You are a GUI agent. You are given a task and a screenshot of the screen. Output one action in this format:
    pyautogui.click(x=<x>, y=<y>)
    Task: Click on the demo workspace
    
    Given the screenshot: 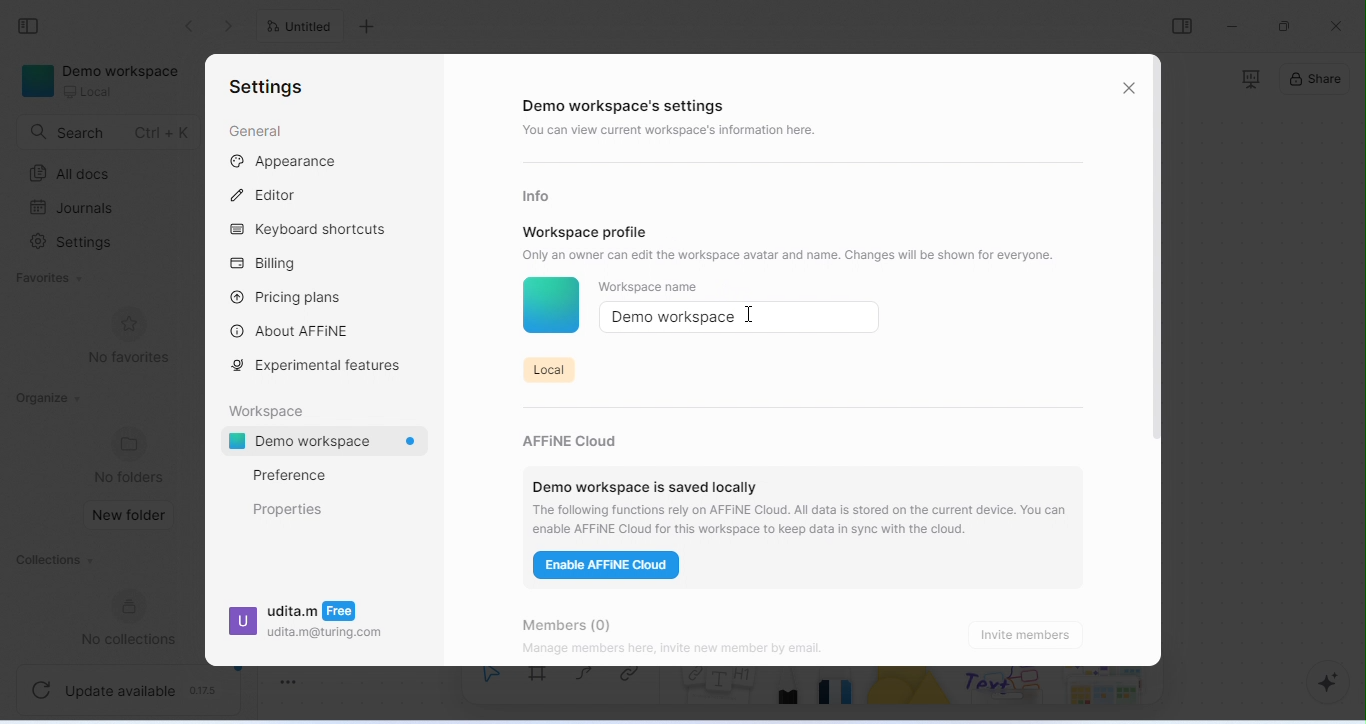 What is the action you would take?
    pyautogui.click(x=105, y=83)
    